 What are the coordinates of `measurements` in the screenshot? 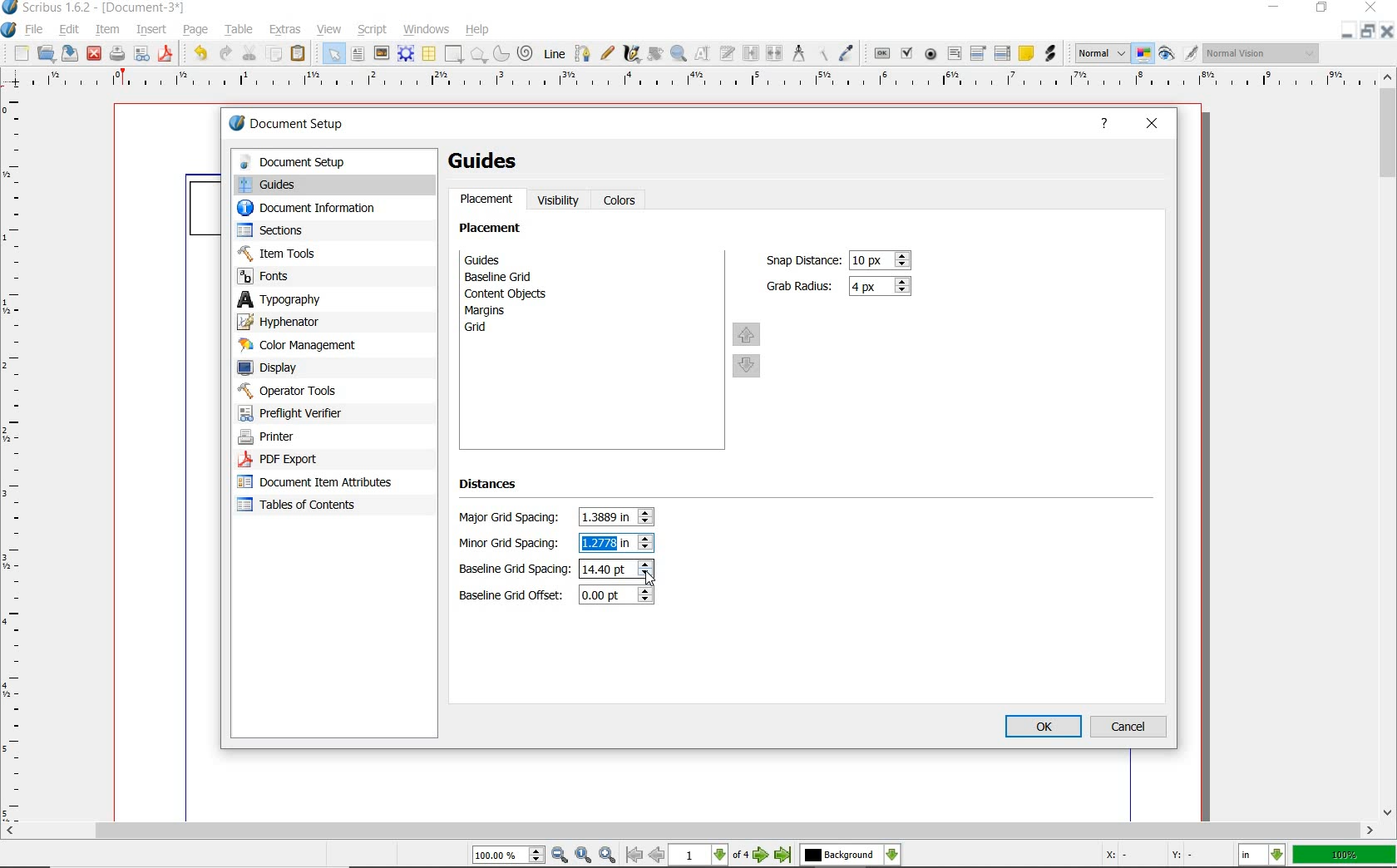 It's located at (797, 52).